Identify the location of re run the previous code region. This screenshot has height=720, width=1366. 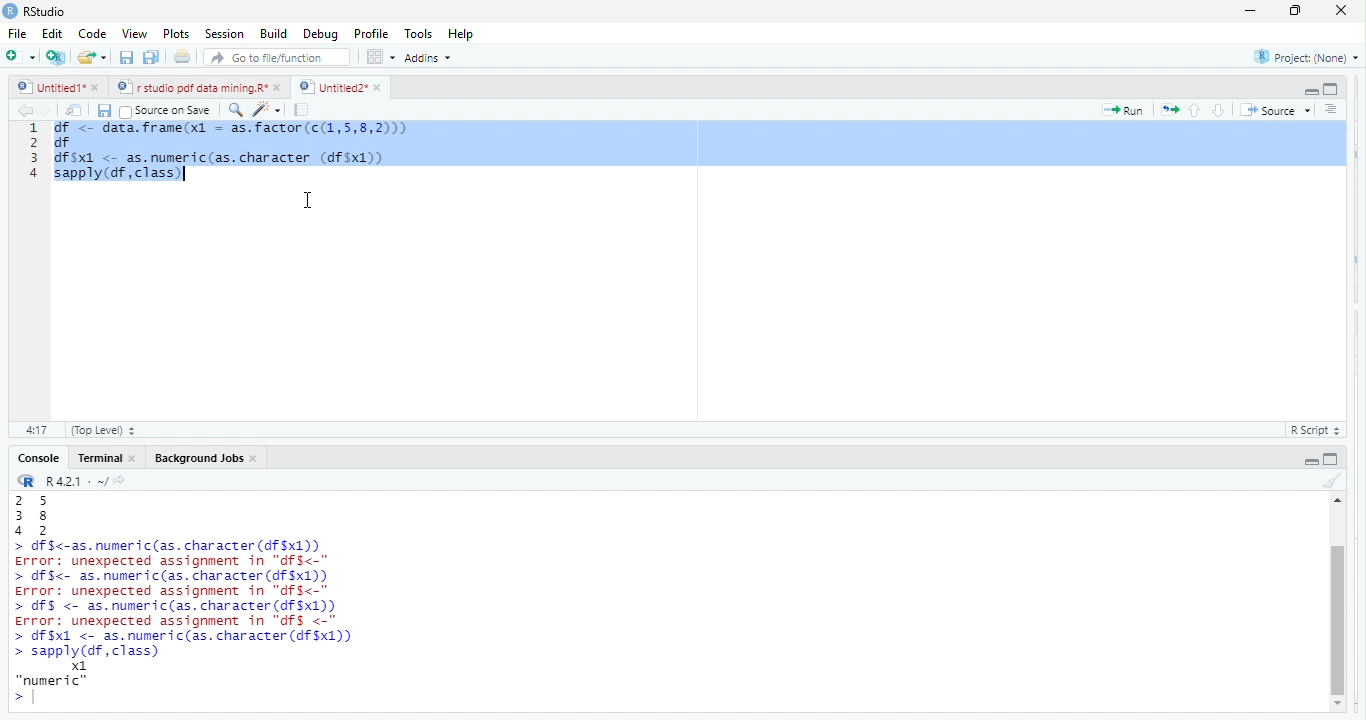
(1168, 111).